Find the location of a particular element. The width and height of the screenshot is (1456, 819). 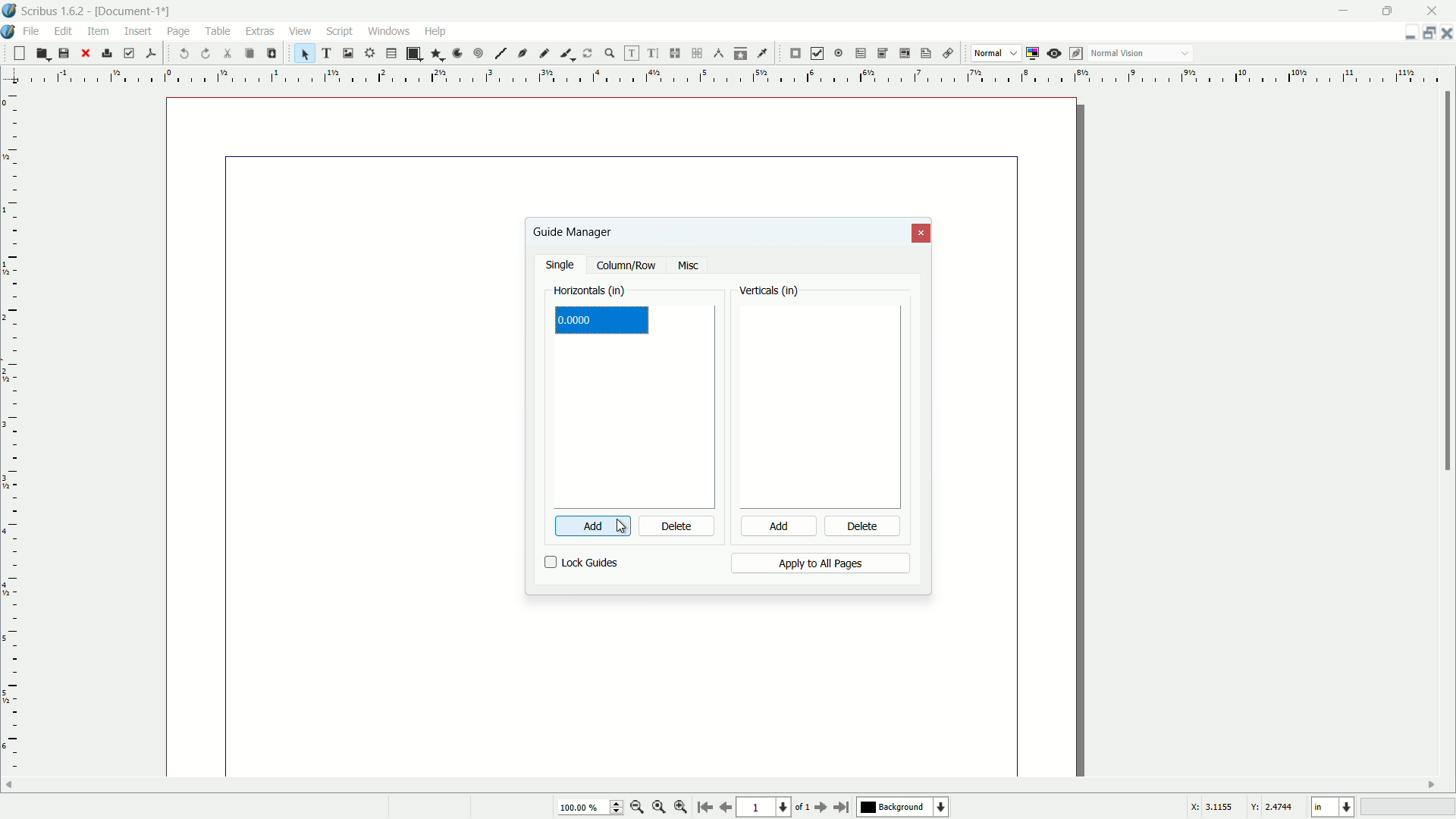

shape is located at coordinates (413, 54).